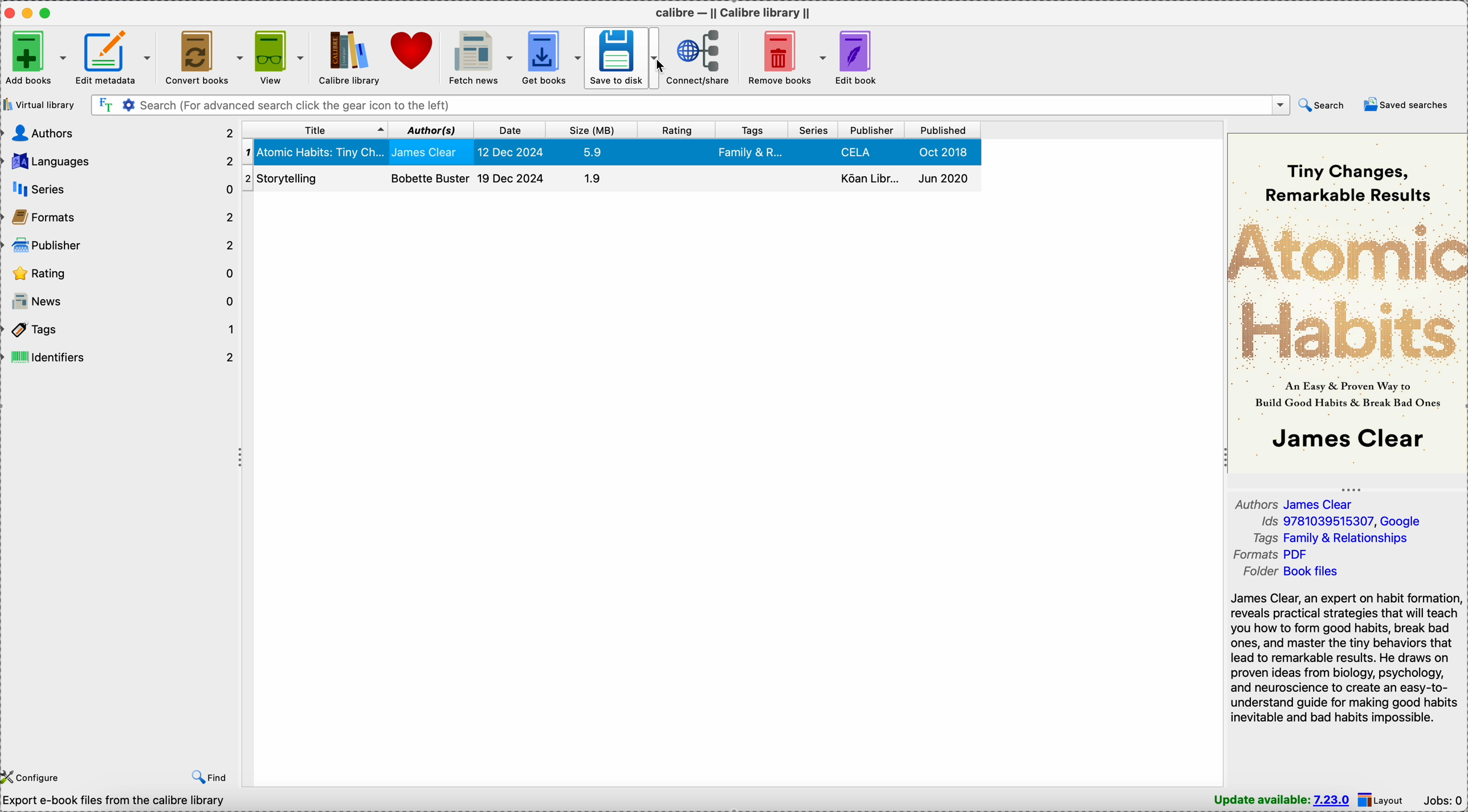 This screenshot has width=1468, height=812. What do you see at coordinates (942, 130) in the screenshot?
I see `published` at bounding box center [942, 130].